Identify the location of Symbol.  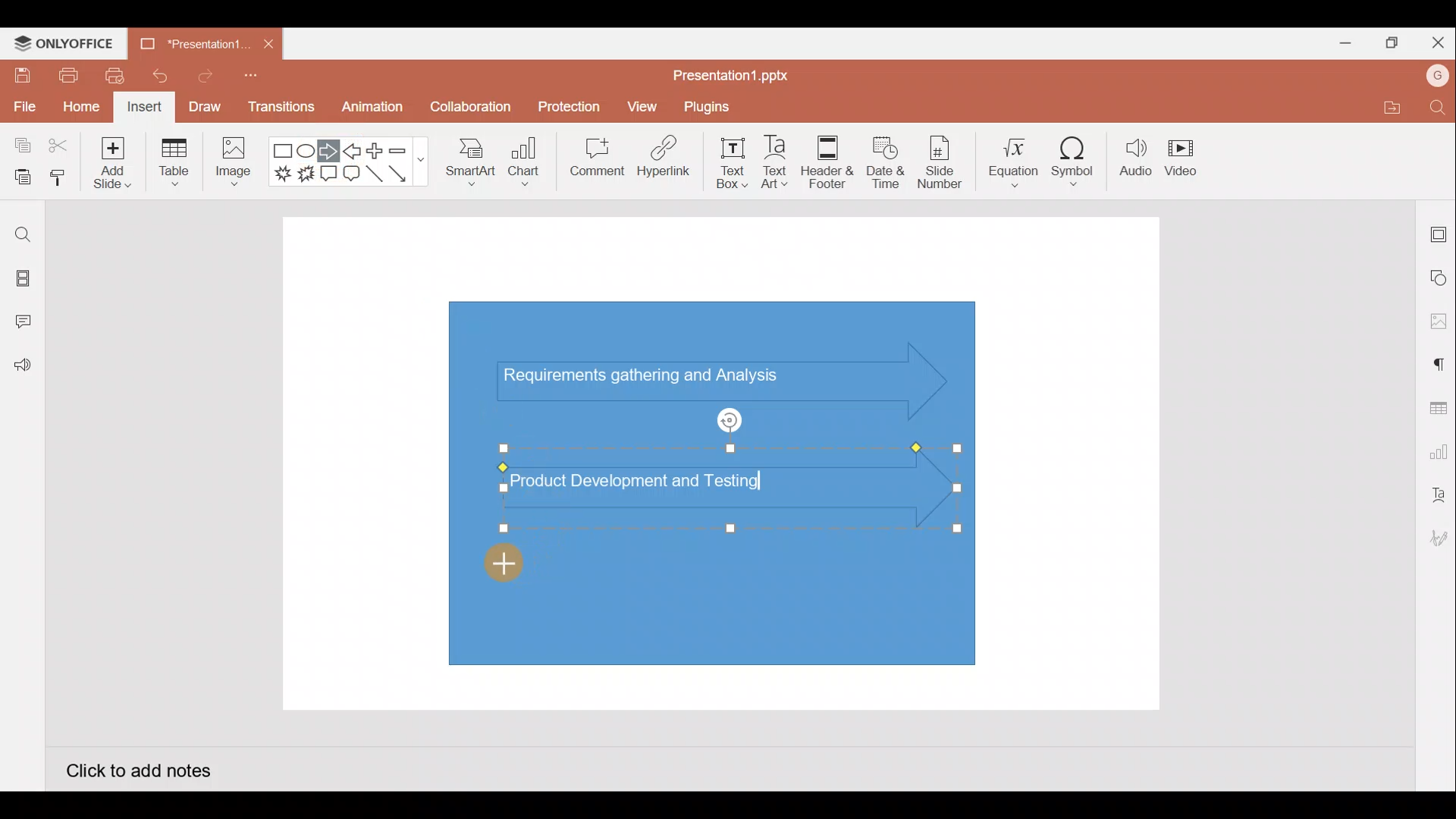
(1074, 158).